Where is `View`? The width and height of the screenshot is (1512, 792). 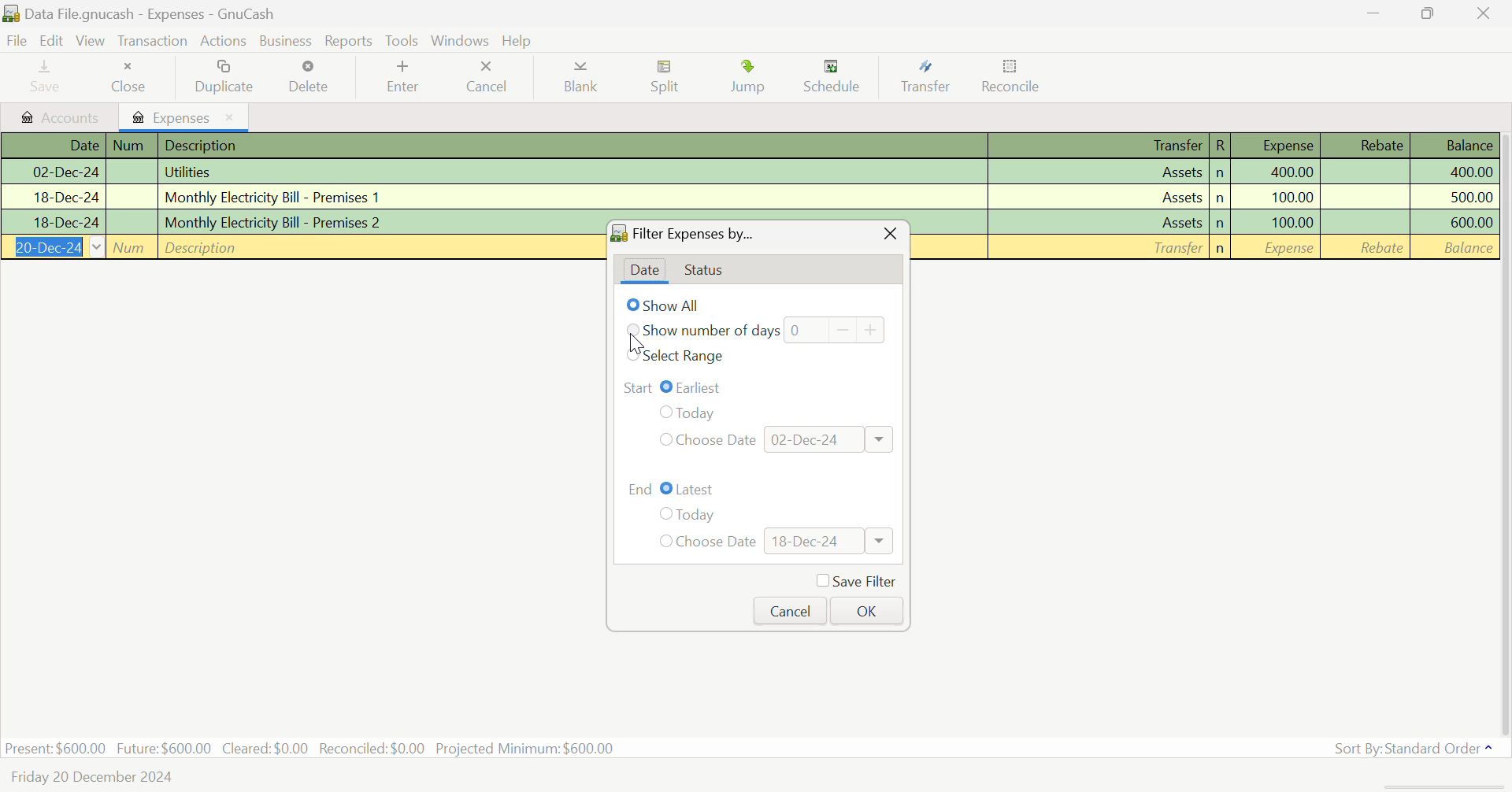 View is located at coordinates (91, 42).